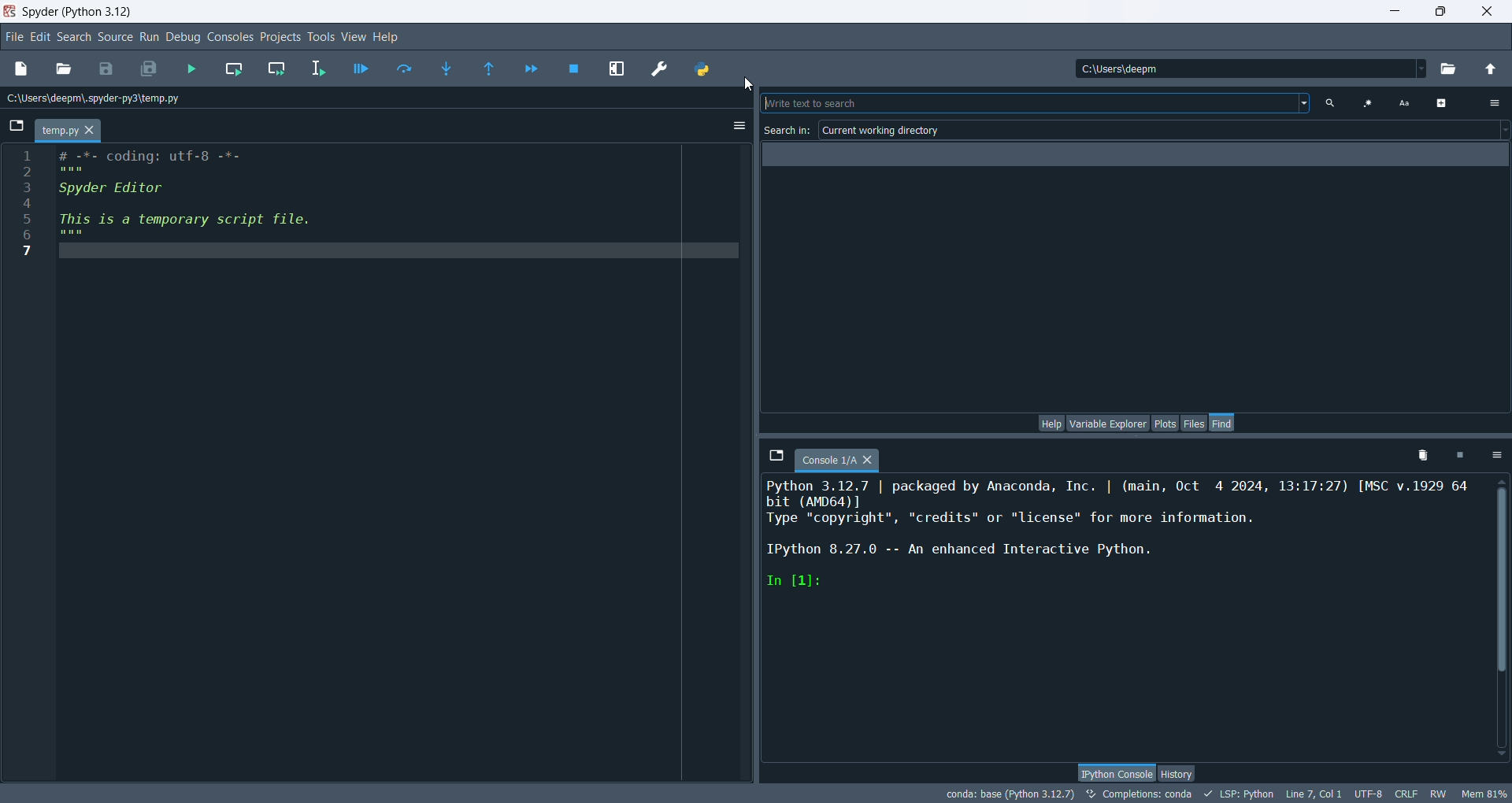  I want to click on close, so click(1483, 13).